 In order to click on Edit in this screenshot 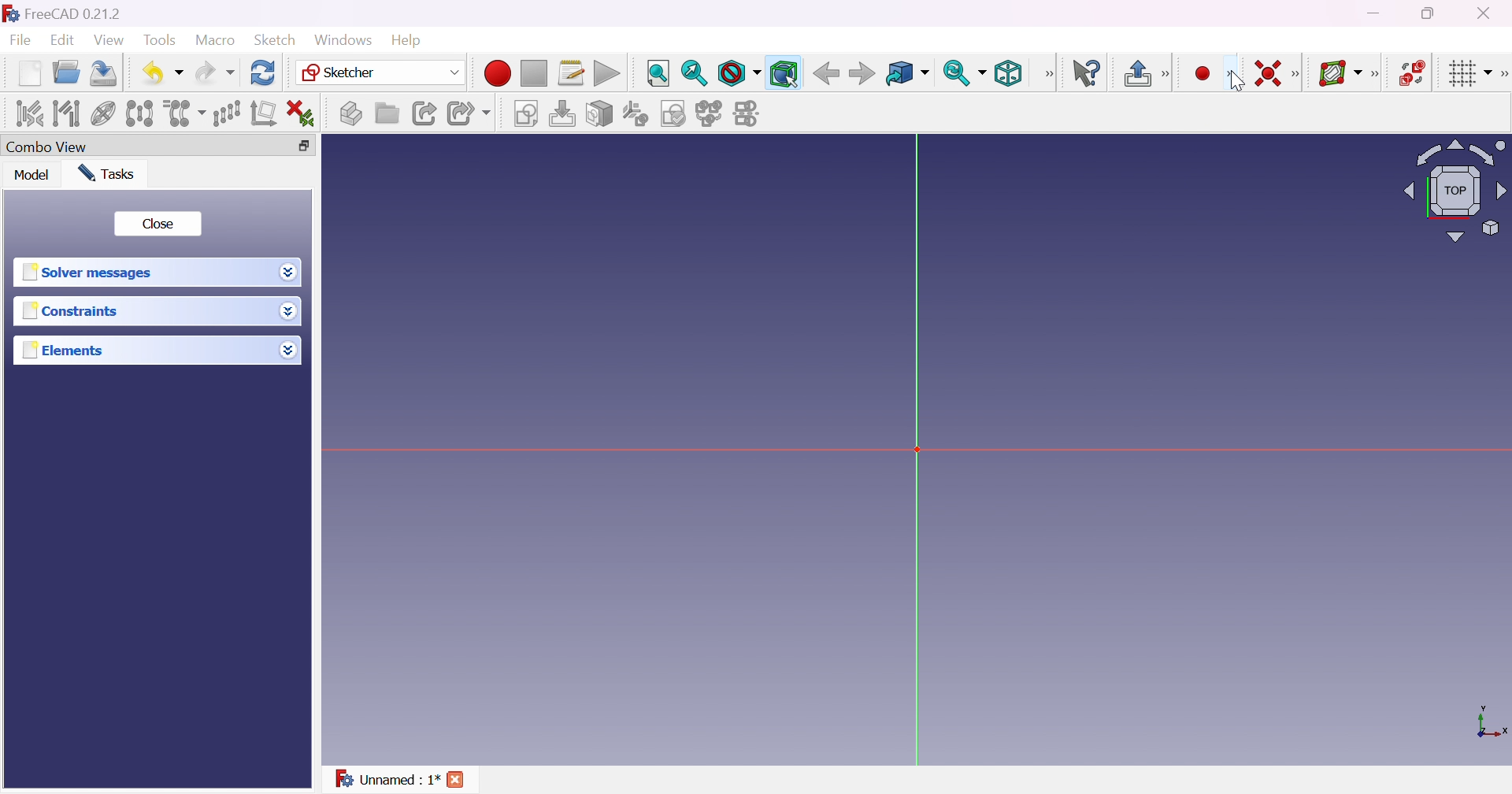, I will do `click(63, 40)`.